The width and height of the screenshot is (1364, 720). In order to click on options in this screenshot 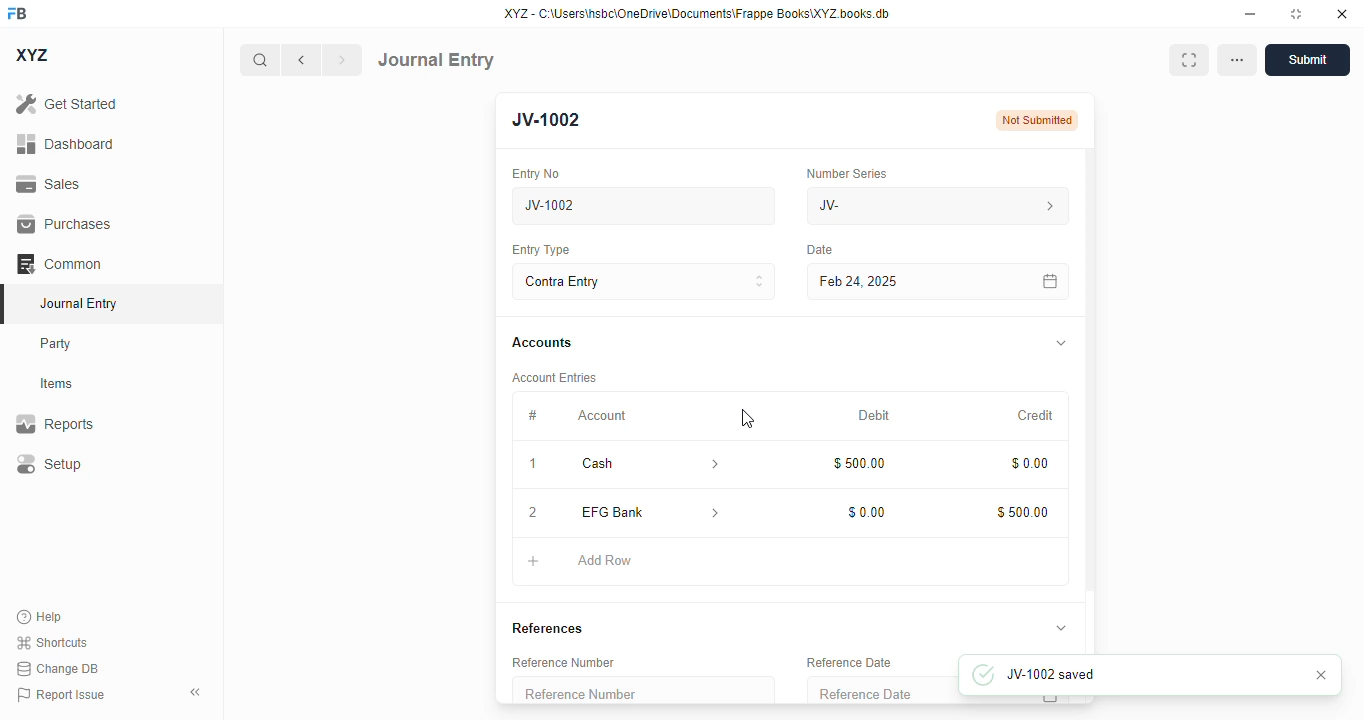, I will do `click(1238, 60)`.